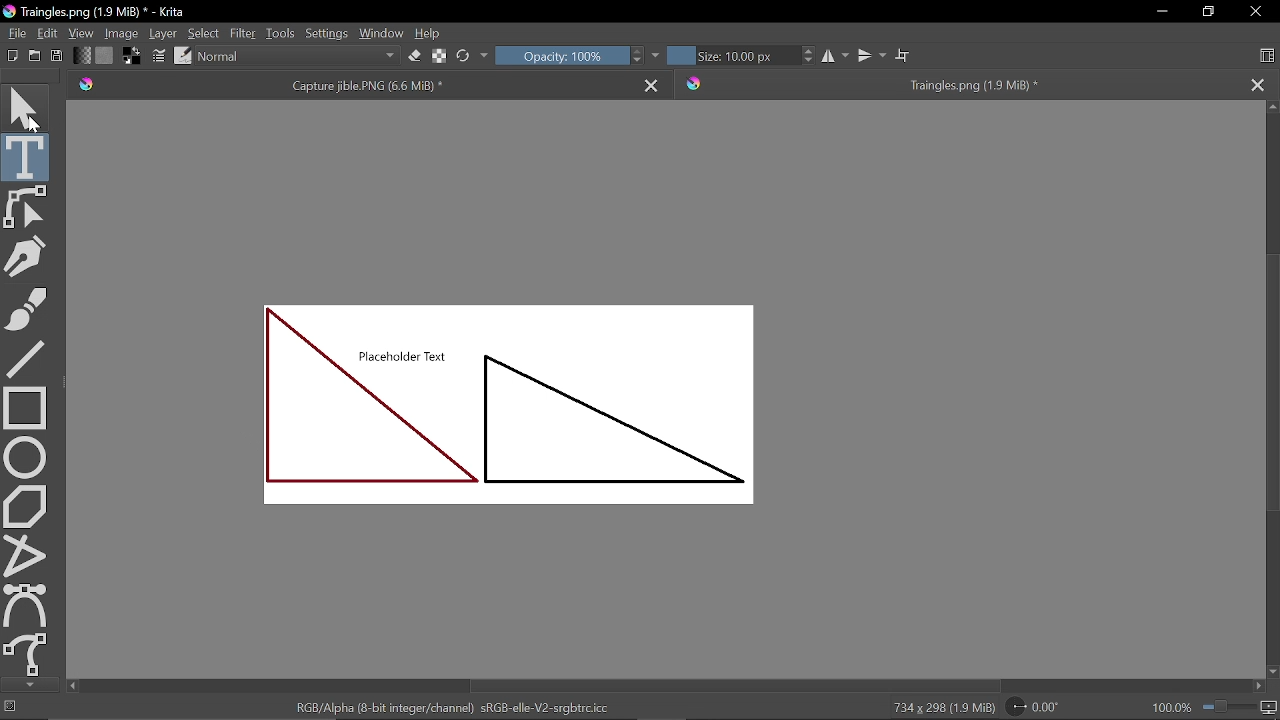 The image size is (1280, 720). I want to click on Horizontal mirror, so click(836, 57).